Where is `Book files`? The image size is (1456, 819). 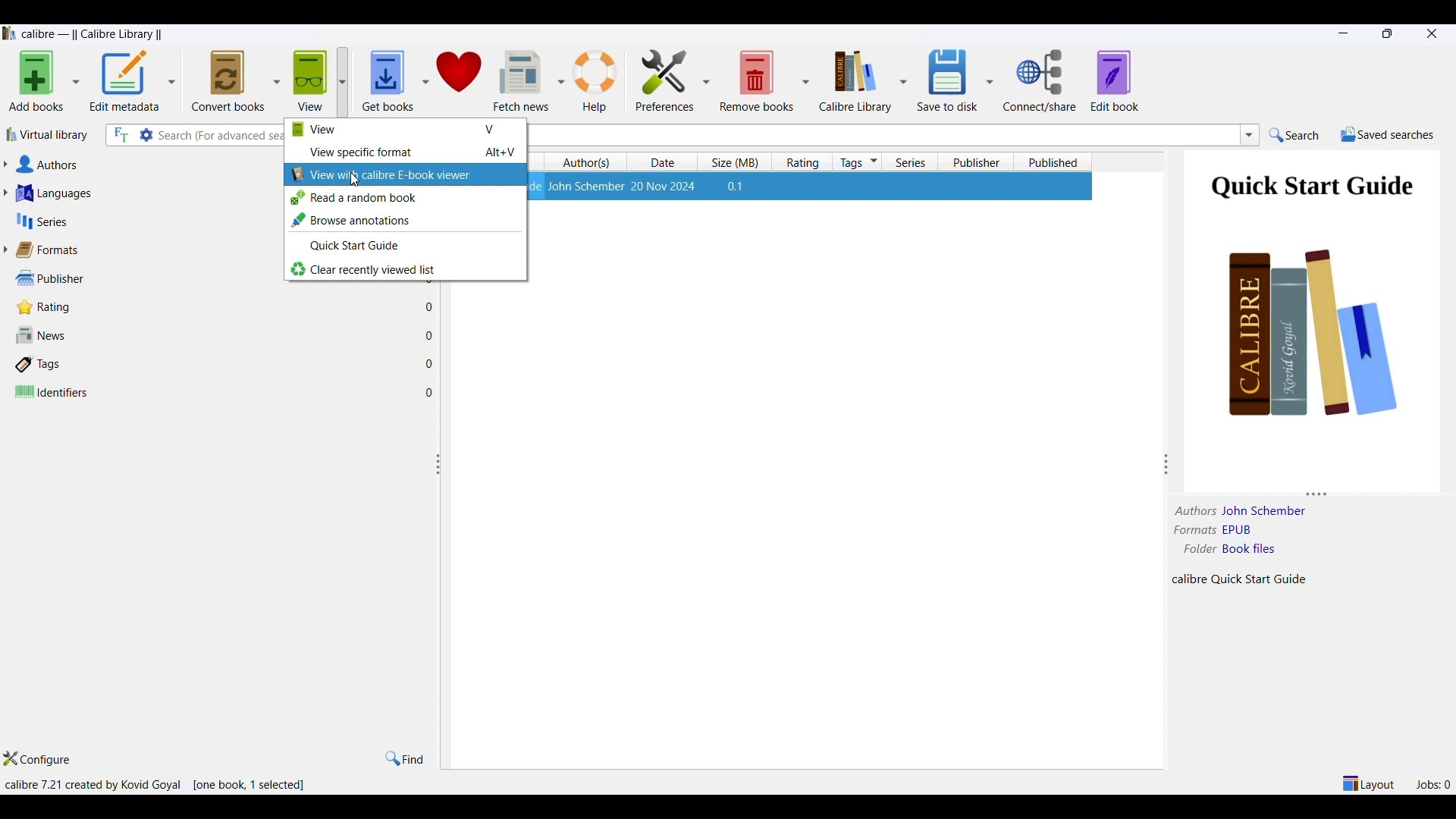 Book files is located at coordinates (1272, 551).